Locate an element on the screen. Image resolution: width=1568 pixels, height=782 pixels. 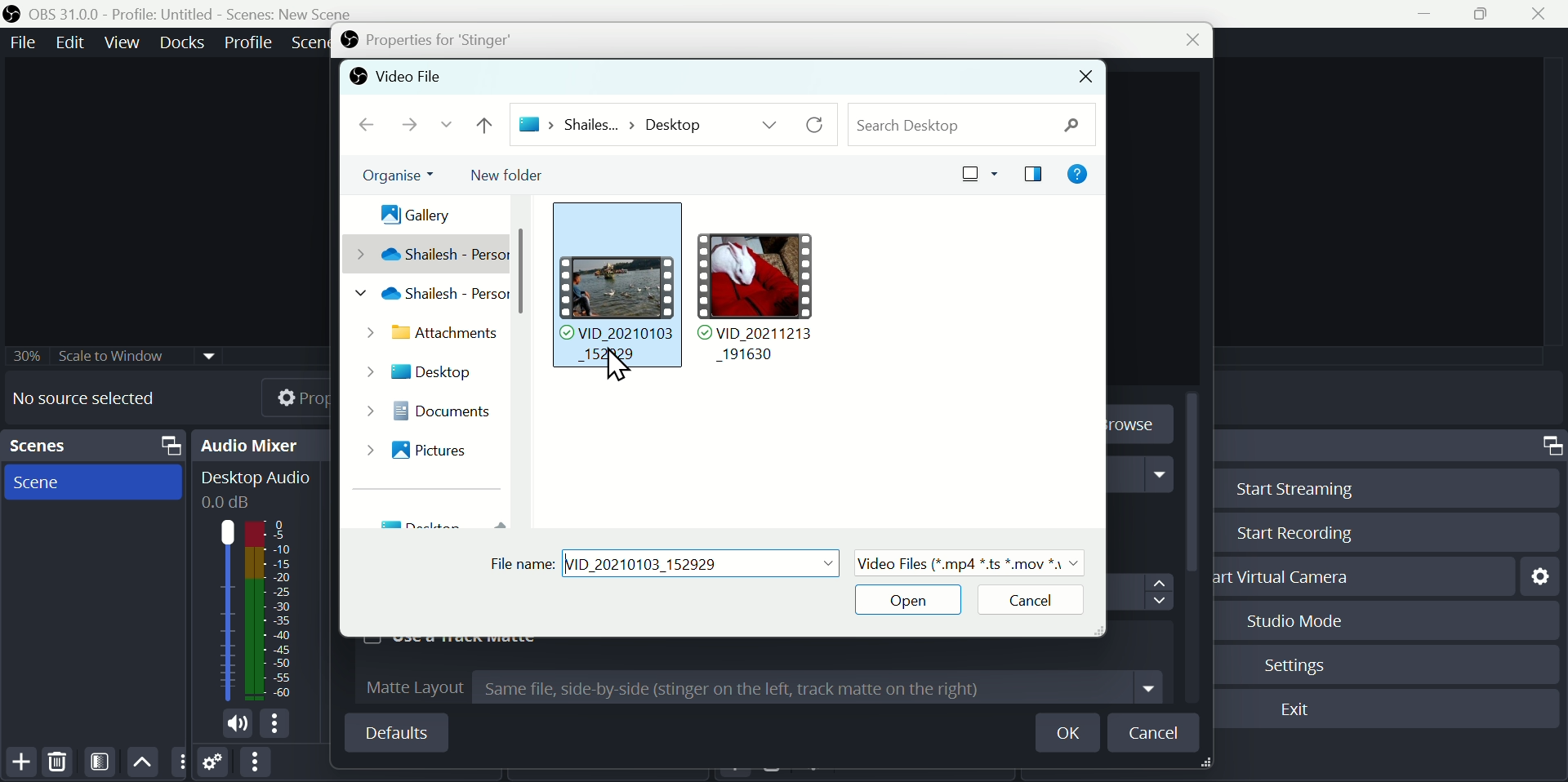
properties for Stinger is located at coordinates (424, 41).